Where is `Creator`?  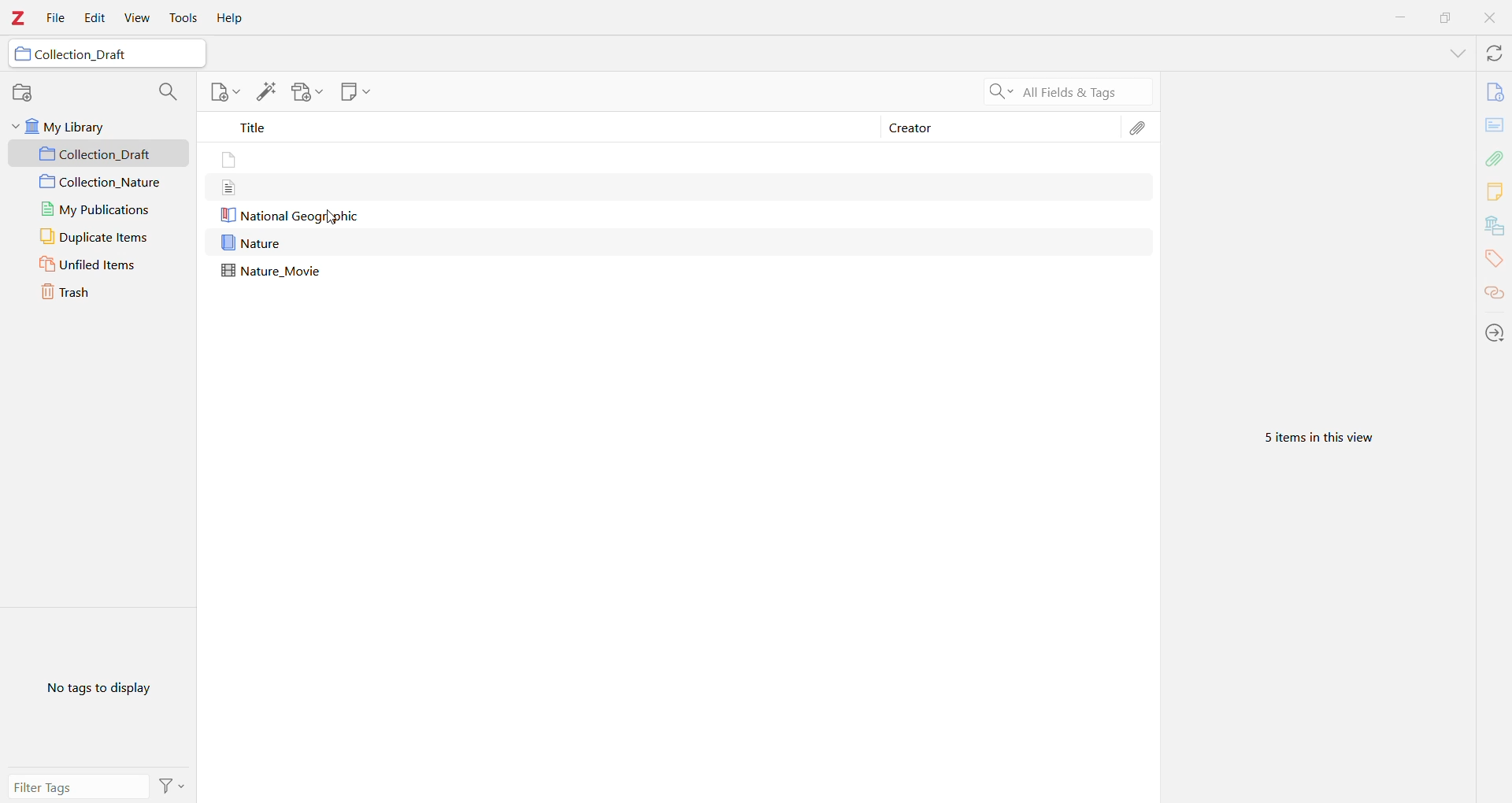
Creator is located at coordinates (1001, 128).